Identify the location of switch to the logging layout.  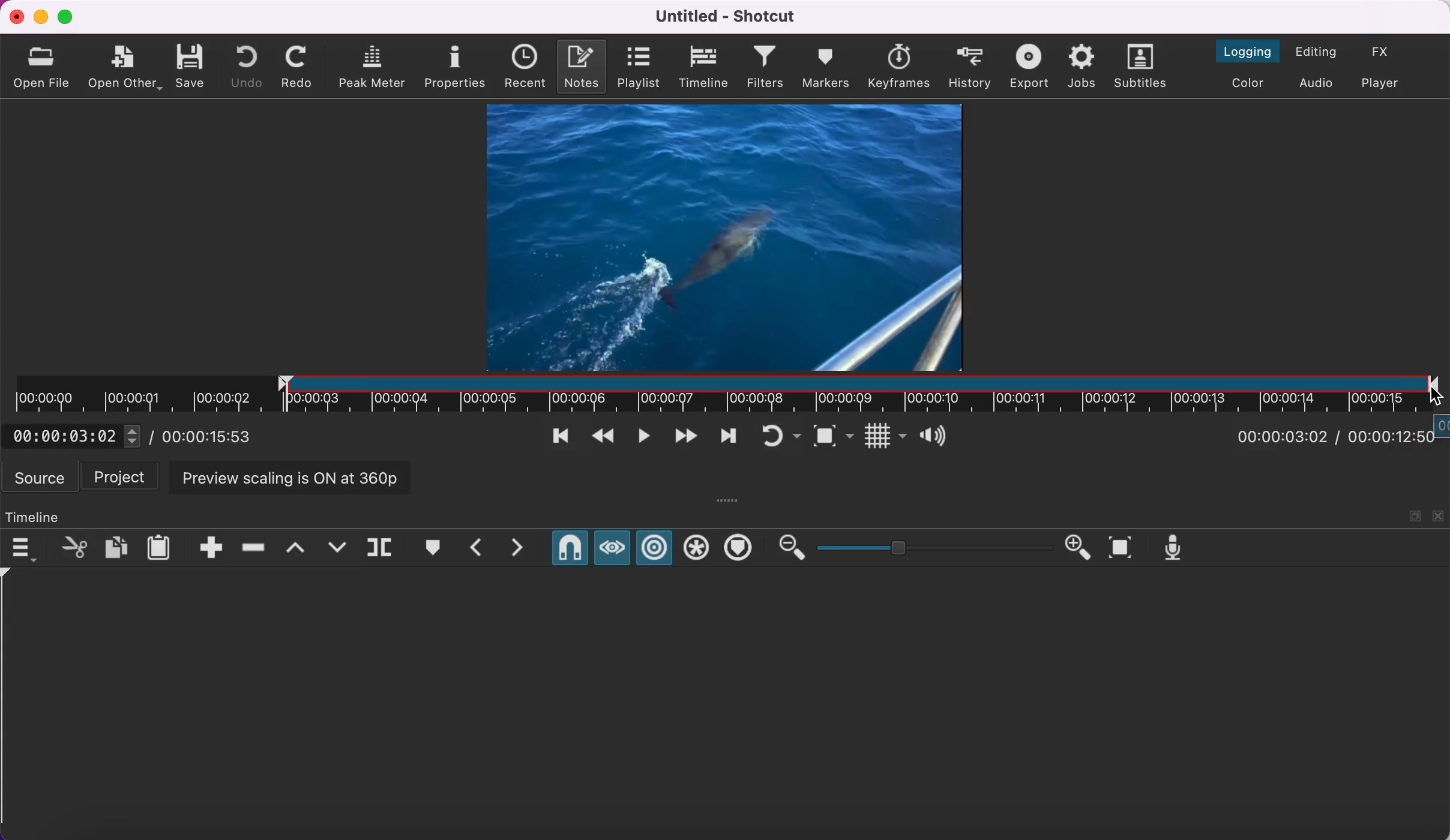
(1251, 51).